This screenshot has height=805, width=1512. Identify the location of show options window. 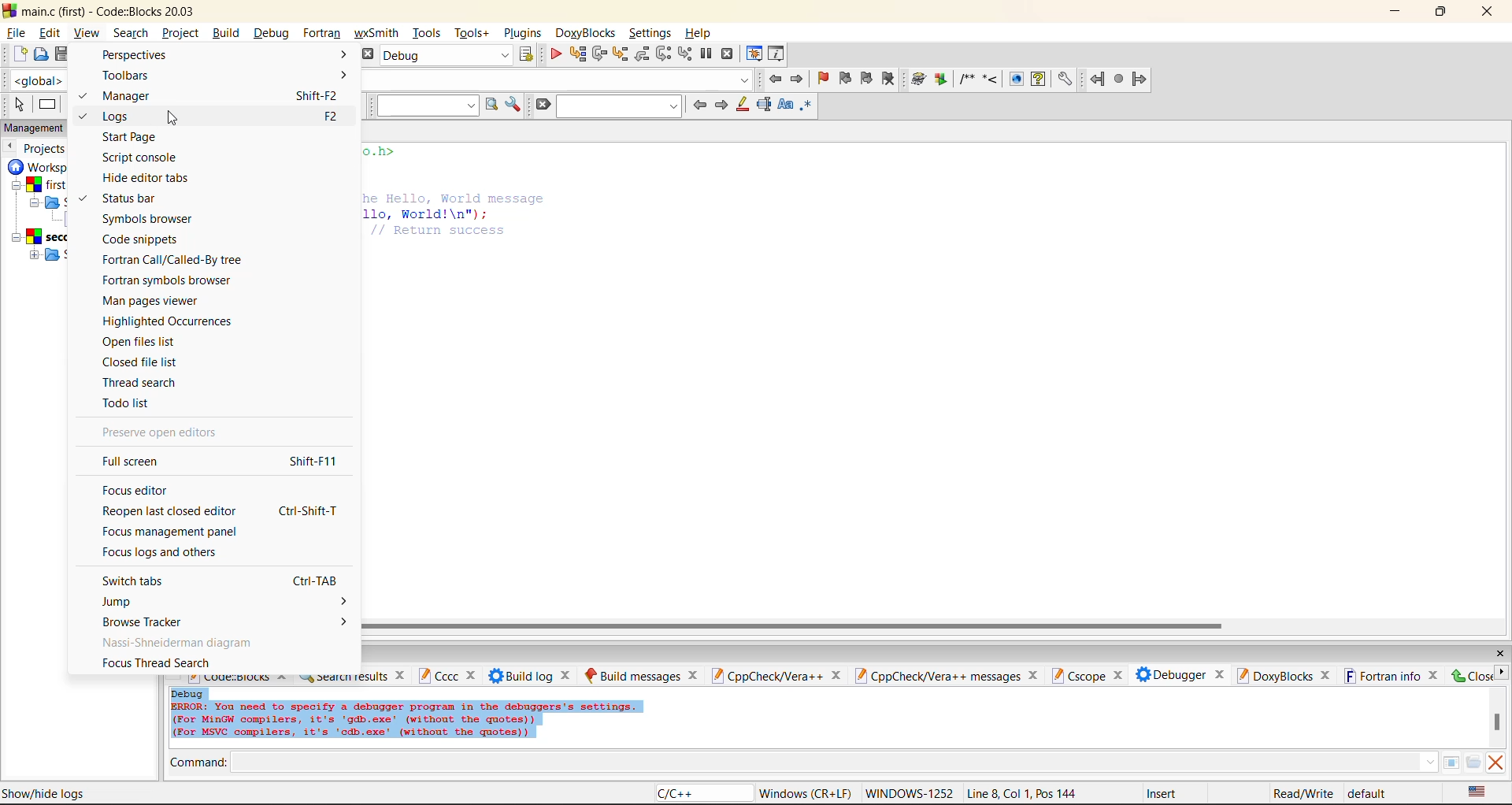
(513, 106).